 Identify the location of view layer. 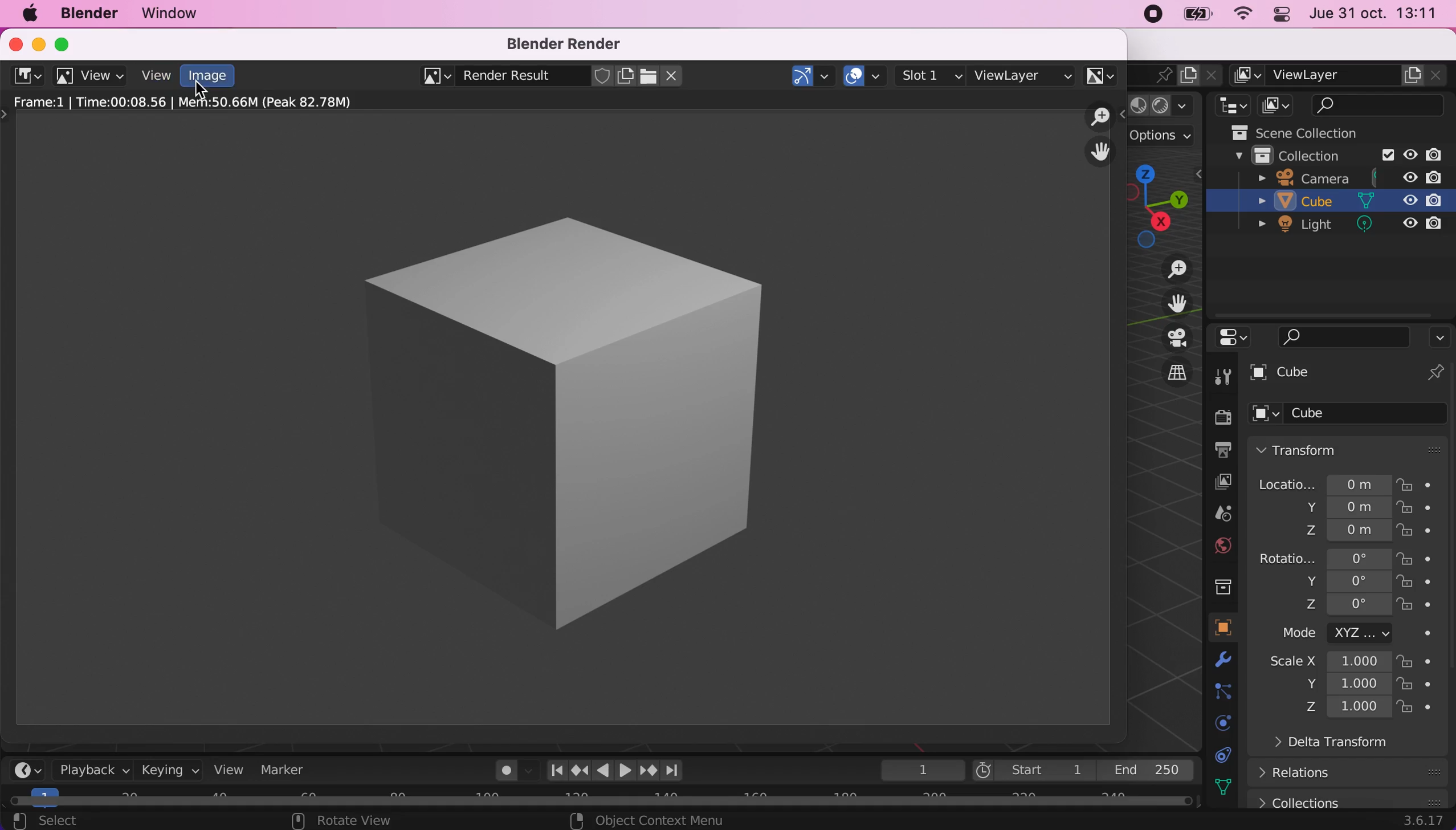
(1023, 74).